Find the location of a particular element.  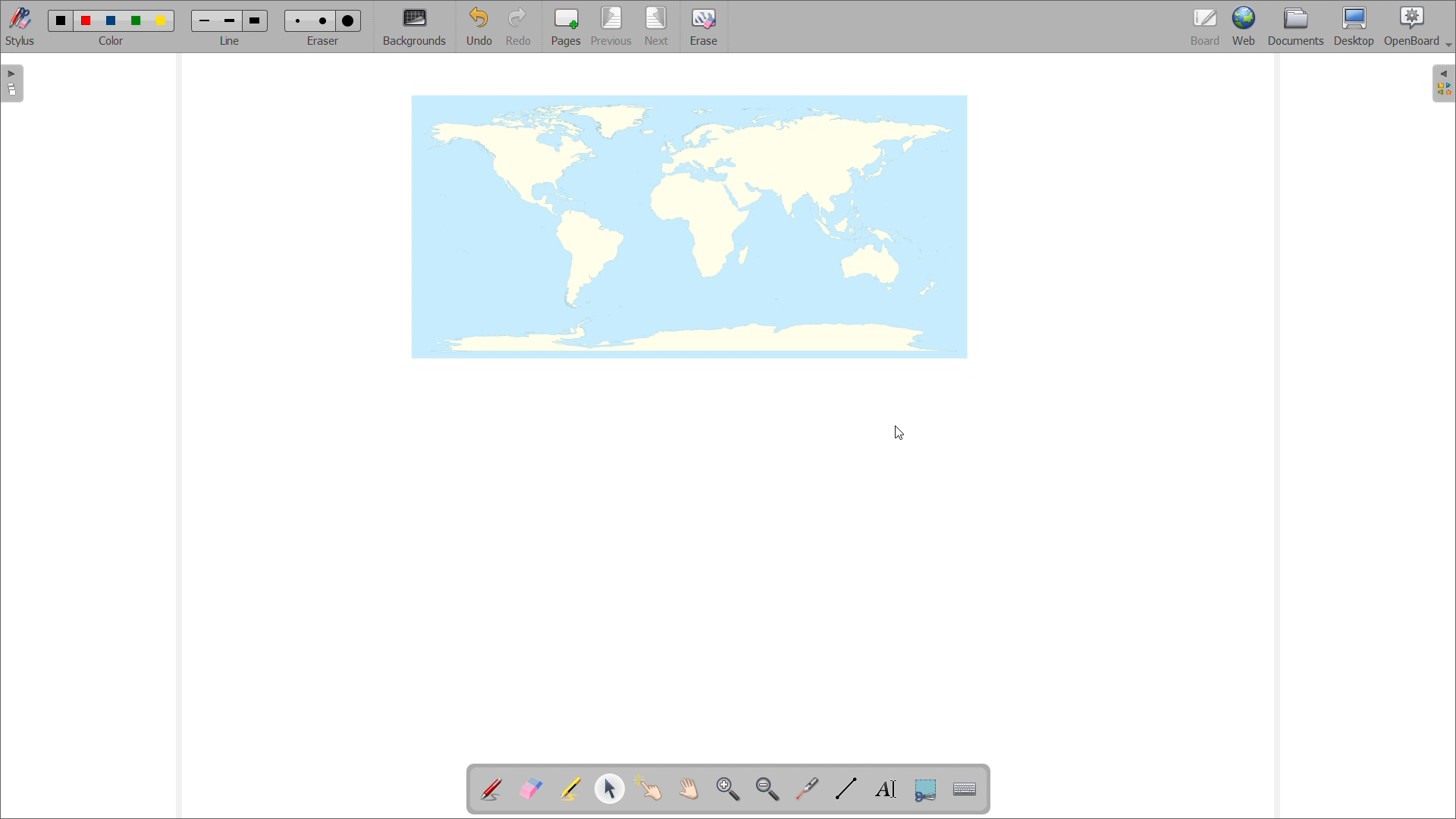

undo is located at coordinates (478, 26).